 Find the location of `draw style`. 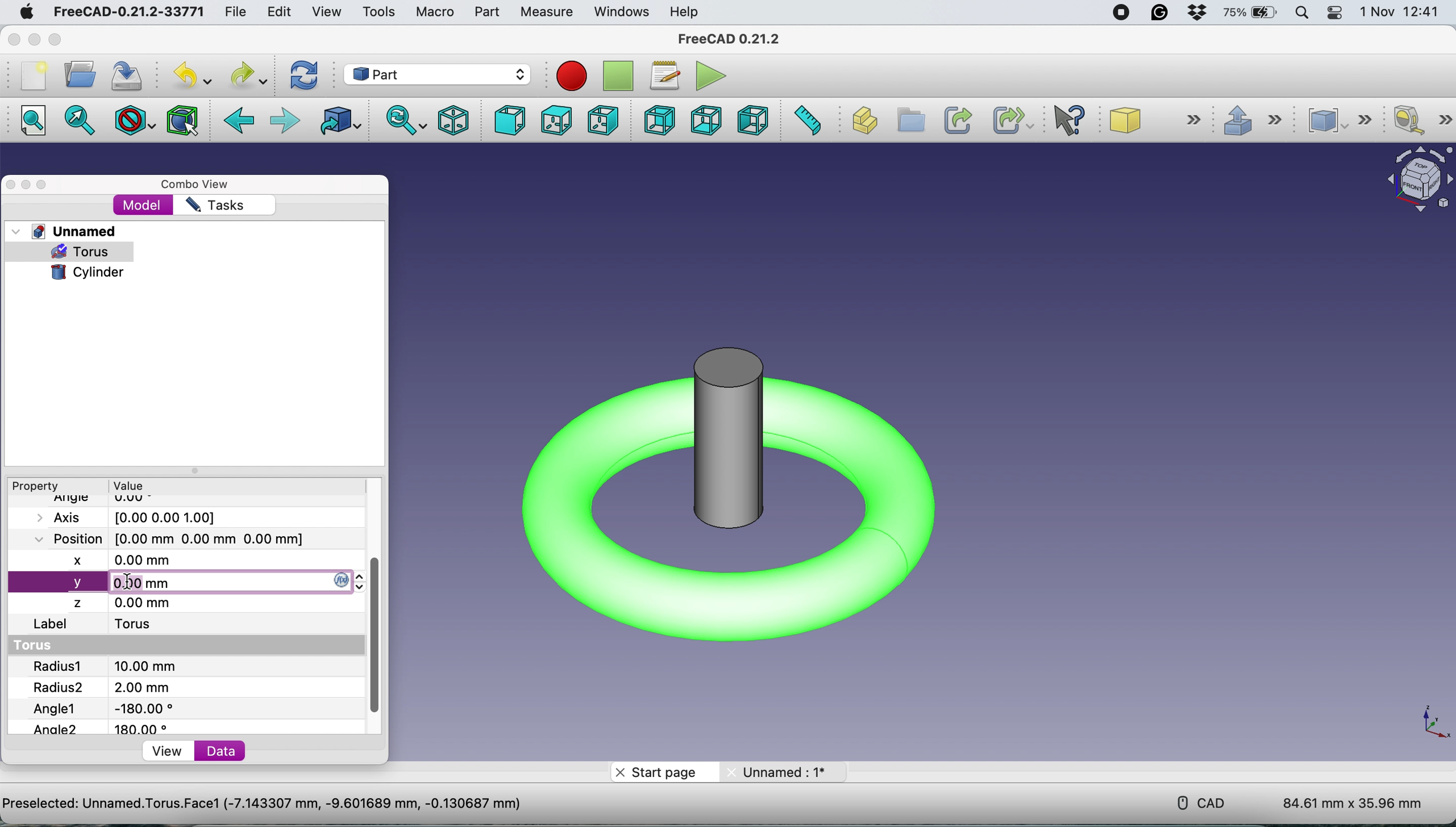

draw style is located at coordinates (137, 119).